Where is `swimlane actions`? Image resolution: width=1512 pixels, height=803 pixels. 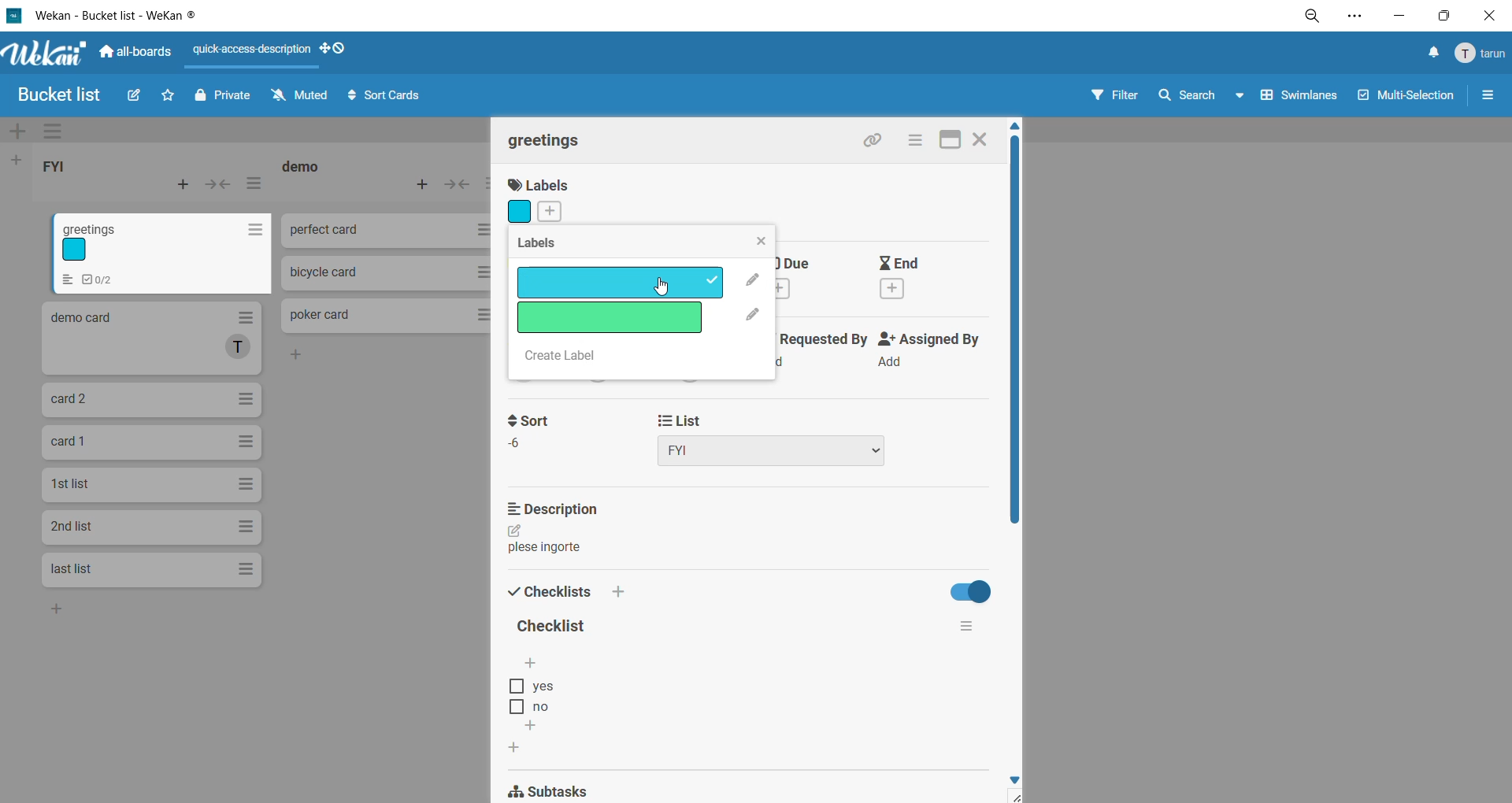 swimlane actions is located at coordinates (50, 132).